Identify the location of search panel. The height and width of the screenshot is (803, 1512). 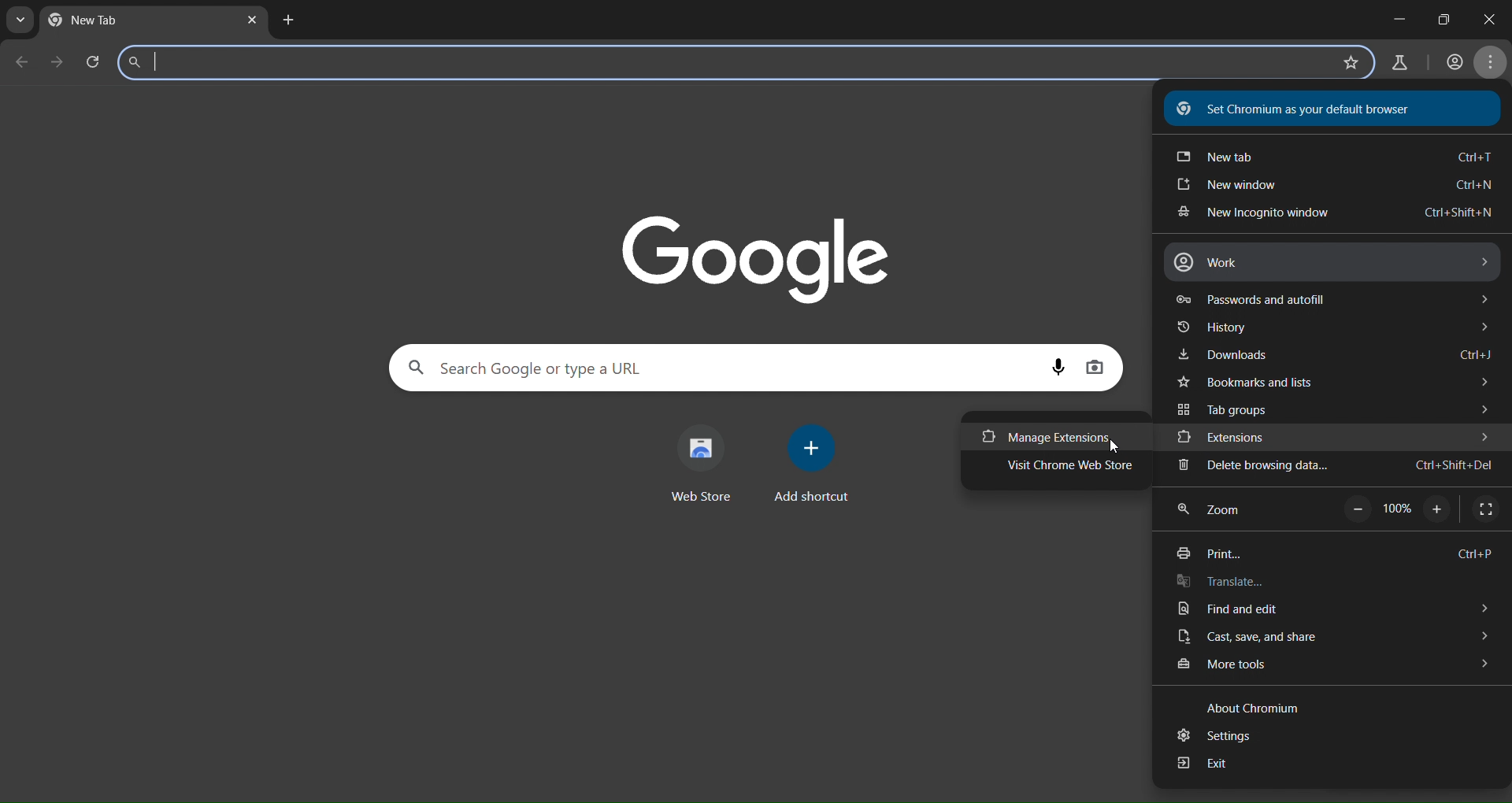
(544, 367).